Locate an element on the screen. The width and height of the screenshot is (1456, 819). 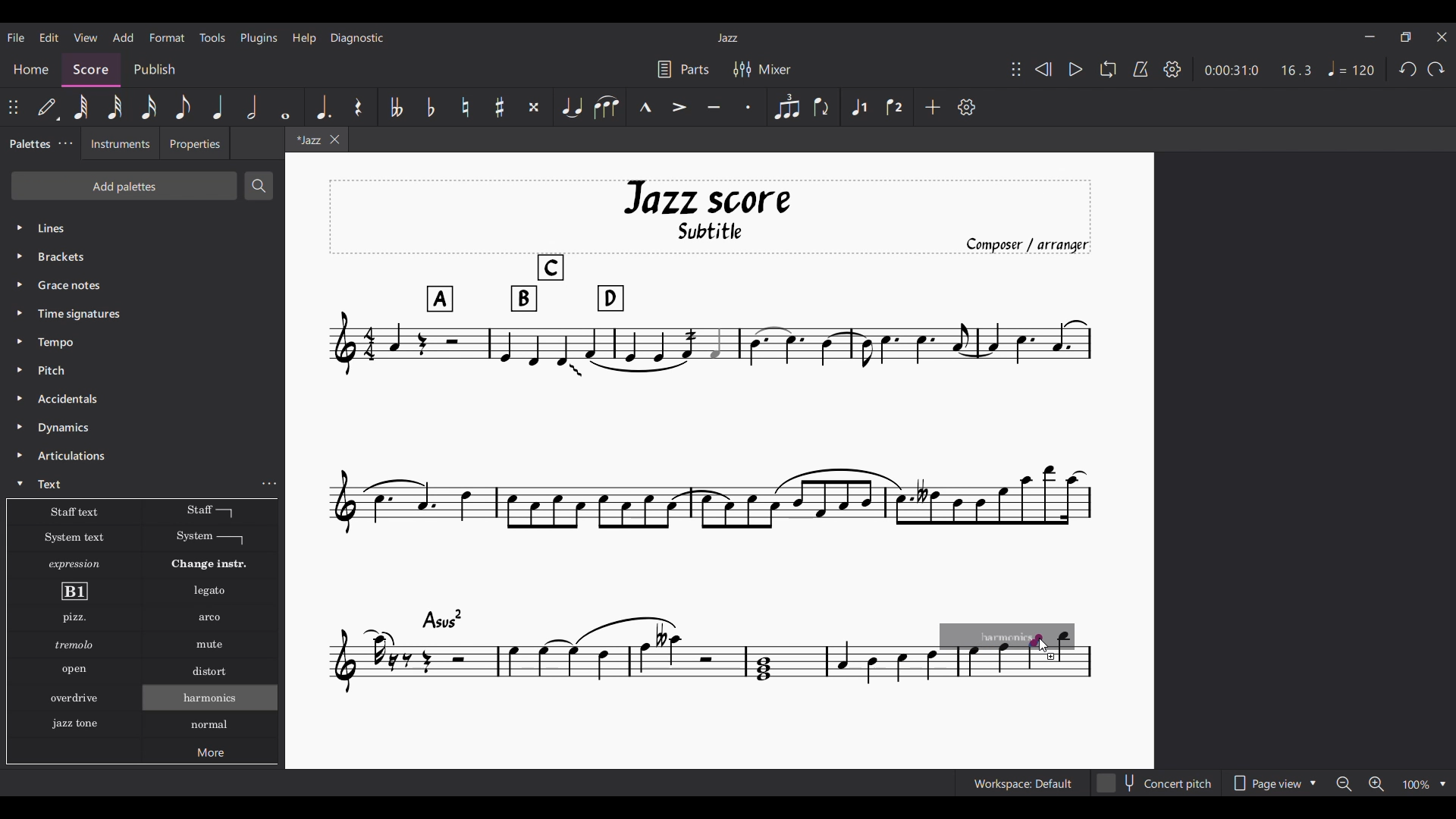
Properties is located at coordinates (195, 143).